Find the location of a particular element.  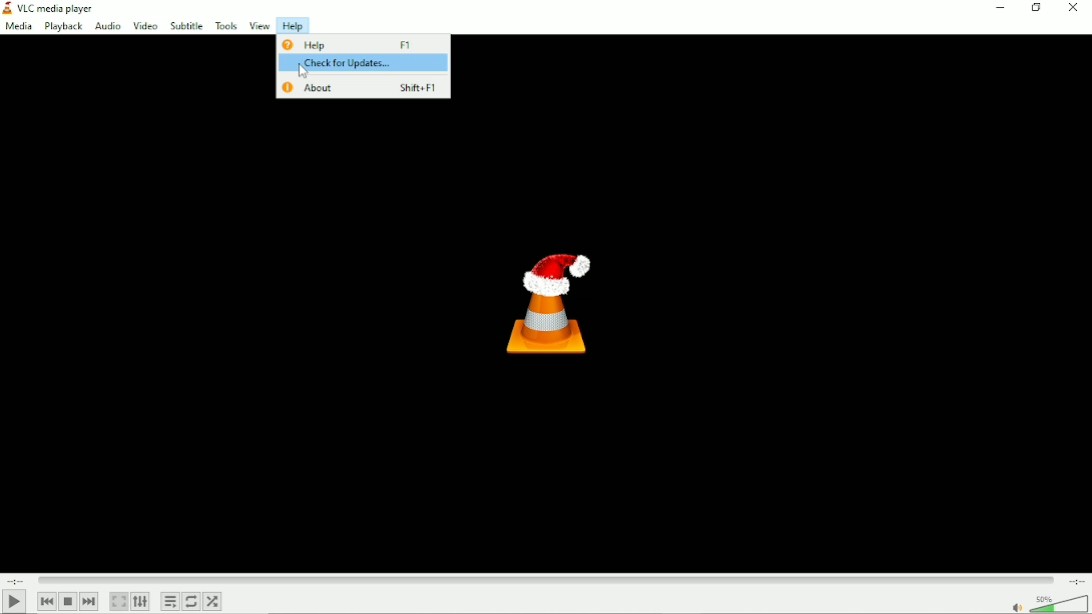

Restore down is located at coordinates (1039, 9).